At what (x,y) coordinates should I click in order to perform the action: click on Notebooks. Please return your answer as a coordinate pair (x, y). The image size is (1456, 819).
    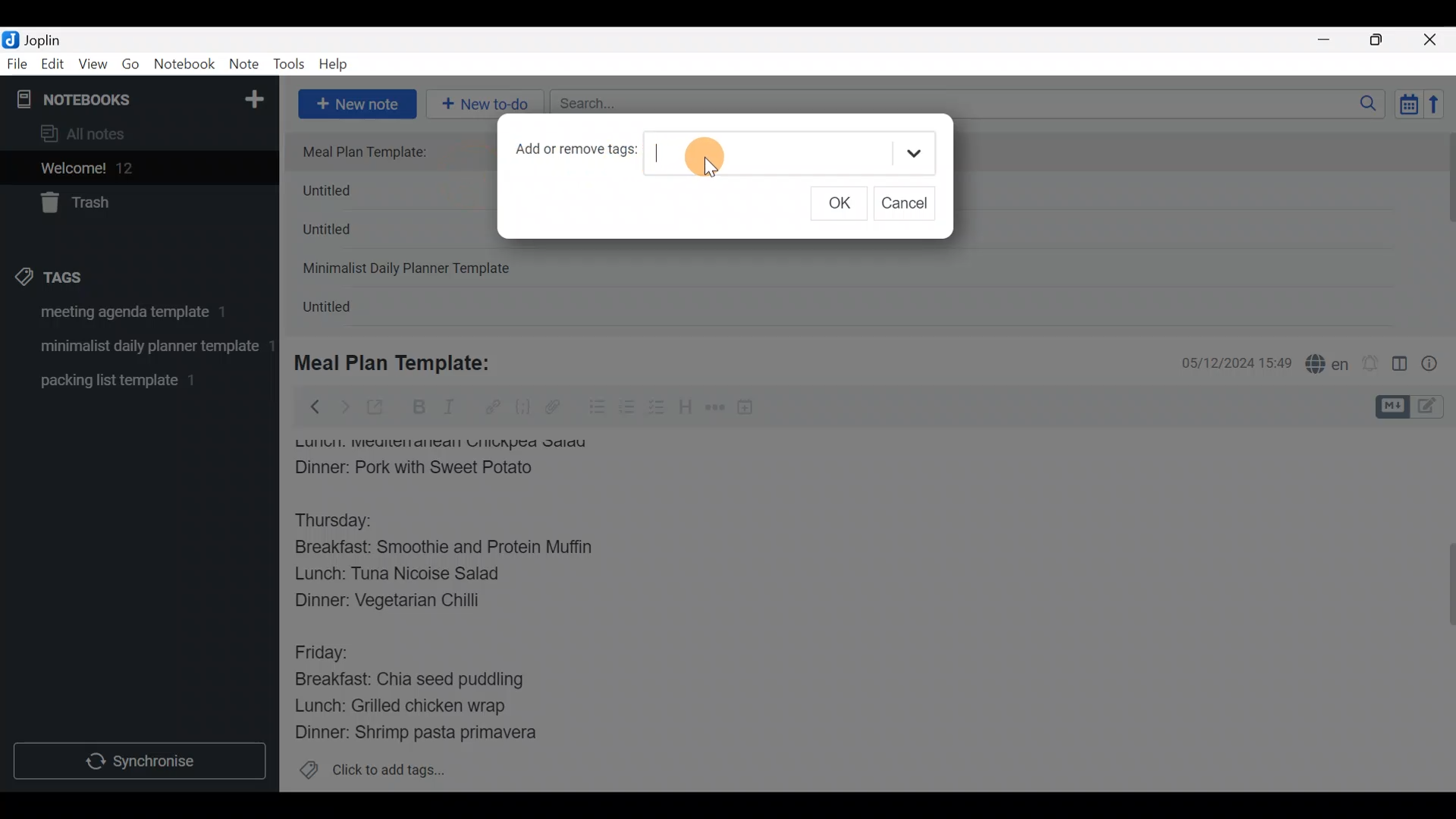
    Looking at the image, I should click on (107, 99).